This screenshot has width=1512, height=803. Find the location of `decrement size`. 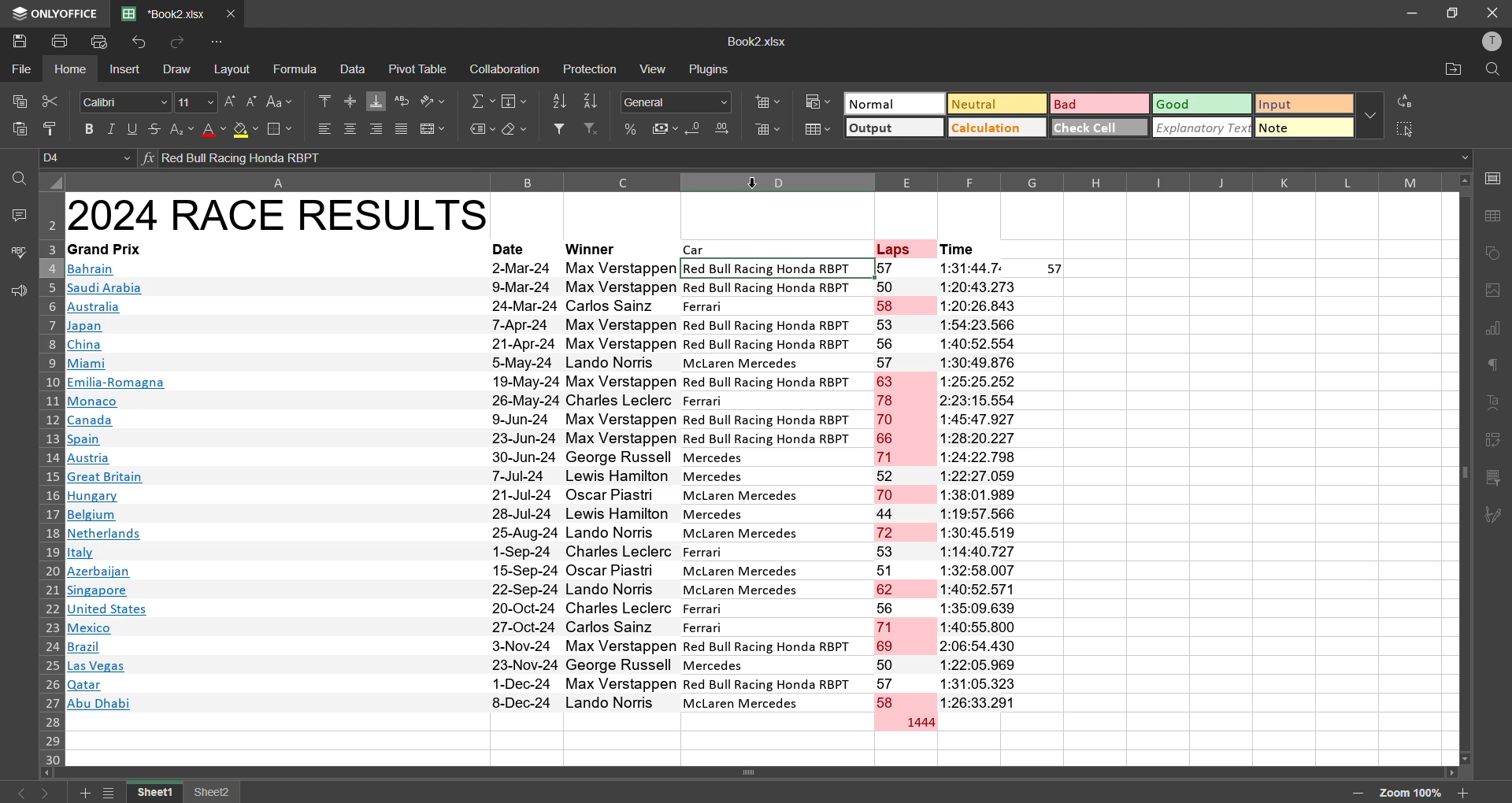

decrement size is located at coordinates (250, 101).